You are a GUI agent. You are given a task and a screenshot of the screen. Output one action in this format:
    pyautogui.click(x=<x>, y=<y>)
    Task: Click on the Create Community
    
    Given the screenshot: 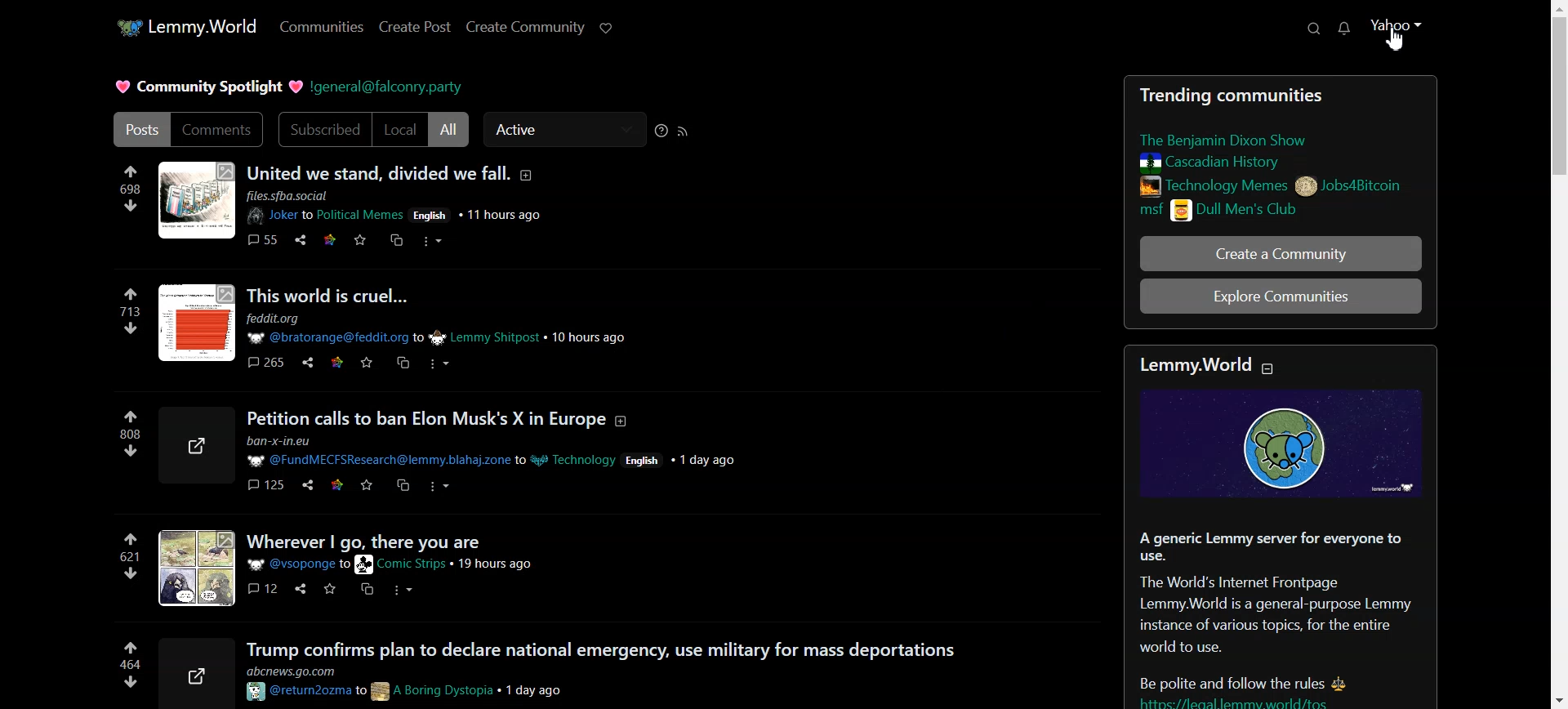 What is the action you would take?
    pyautogui.click(x=526, y=28)
    